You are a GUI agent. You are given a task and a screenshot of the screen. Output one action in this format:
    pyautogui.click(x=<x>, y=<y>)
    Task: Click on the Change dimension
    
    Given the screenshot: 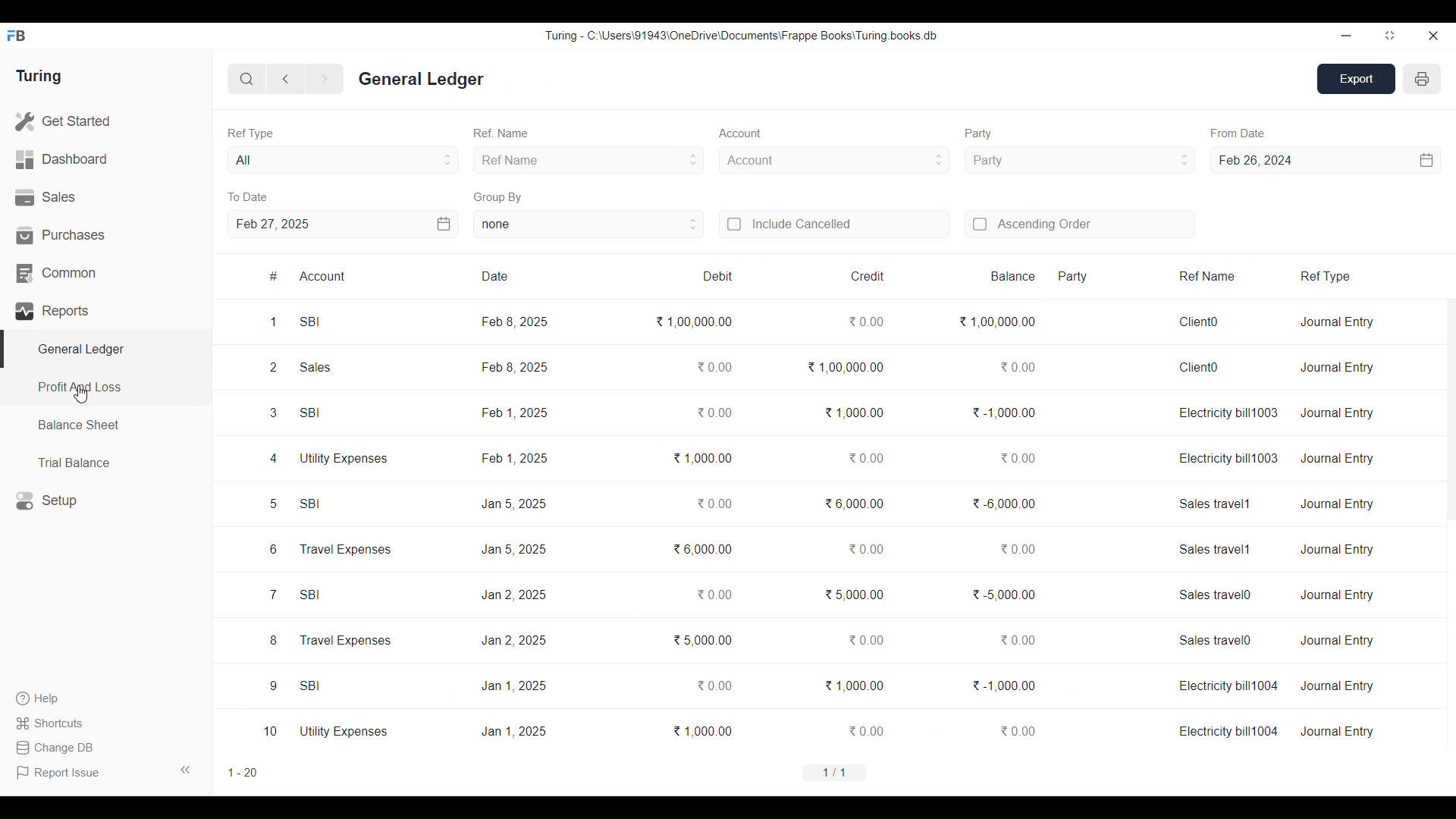 What is the action you would take?
    pyautogui.click(x=1390, y=36)
    